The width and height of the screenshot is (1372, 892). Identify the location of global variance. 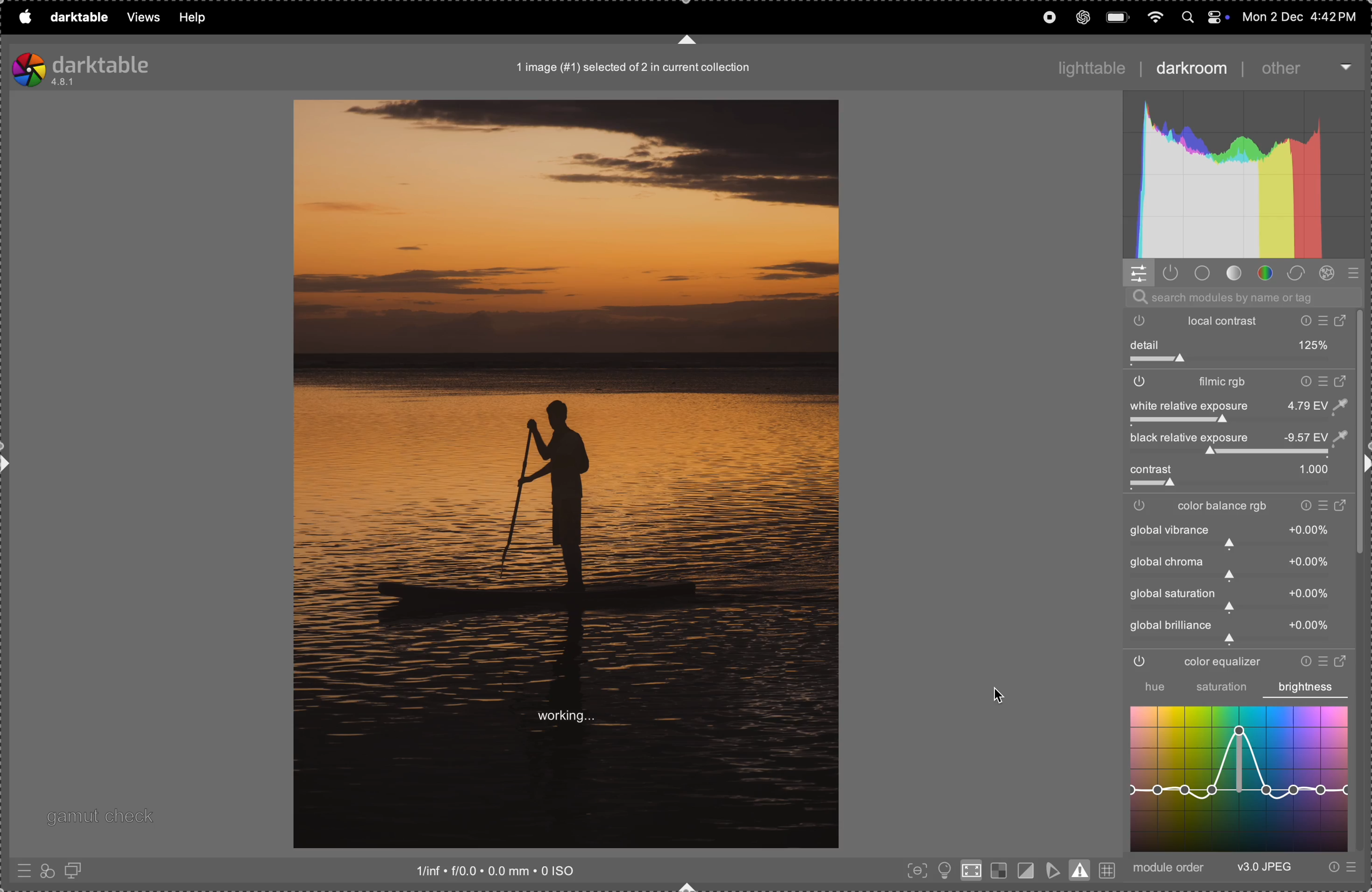
(1238, 536).